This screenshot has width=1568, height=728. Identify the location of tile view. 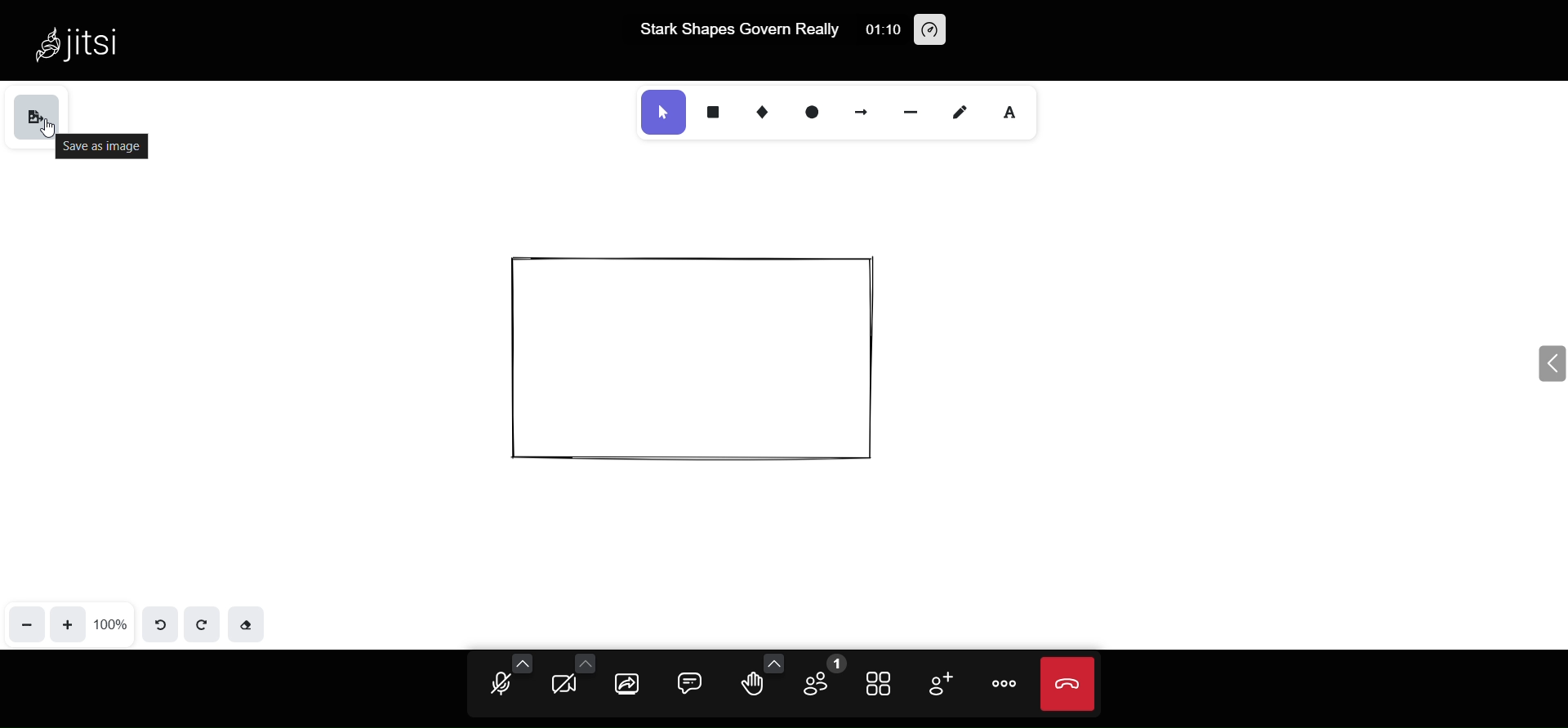
(879, 686).